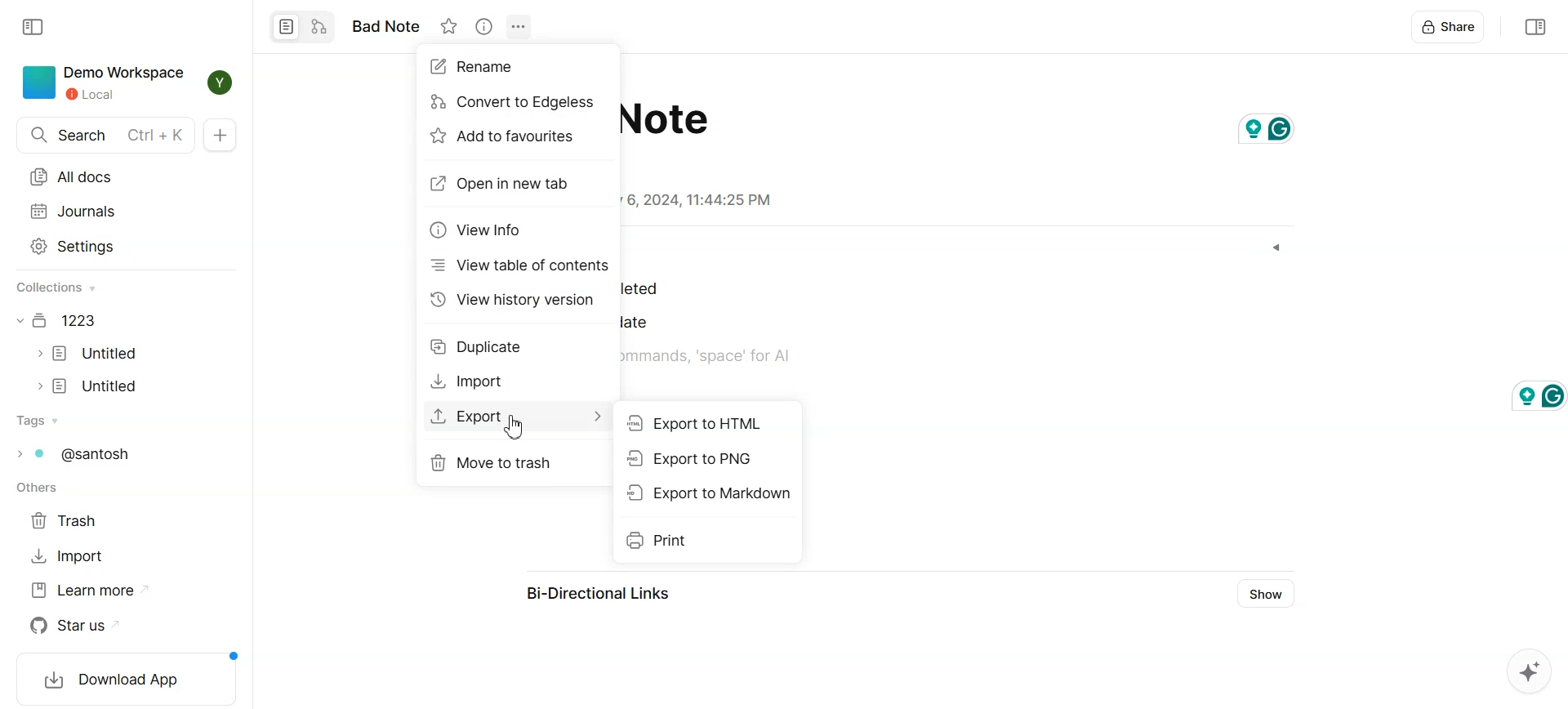 Image resolution: width=1568 pixels, height=709 pixels. Describe the element at coordinates (511, 185) in the screenshot. I see `Open in new tab` at that location.